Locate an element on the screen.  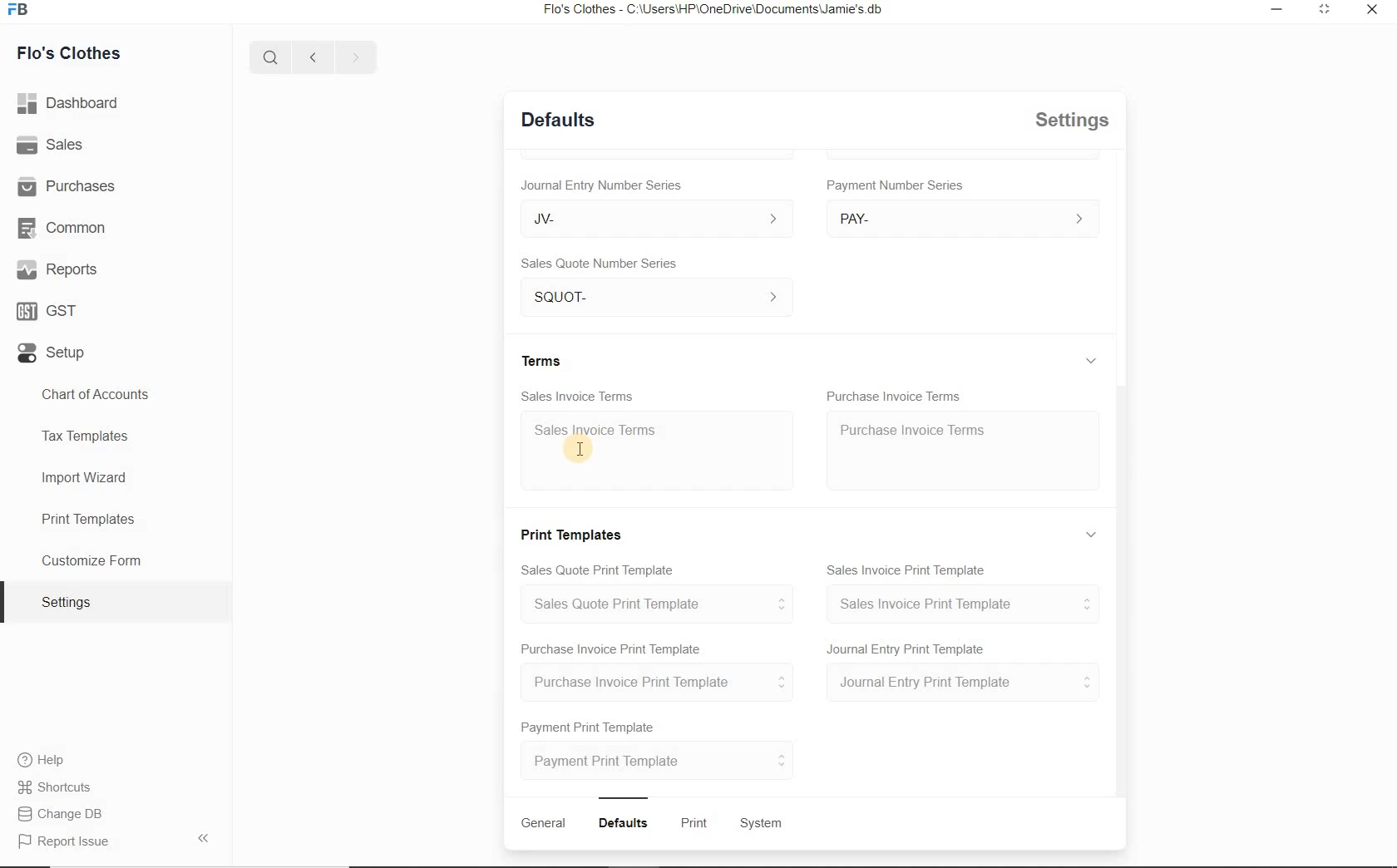
Payment Print Template is located at coordinates (659, 760).